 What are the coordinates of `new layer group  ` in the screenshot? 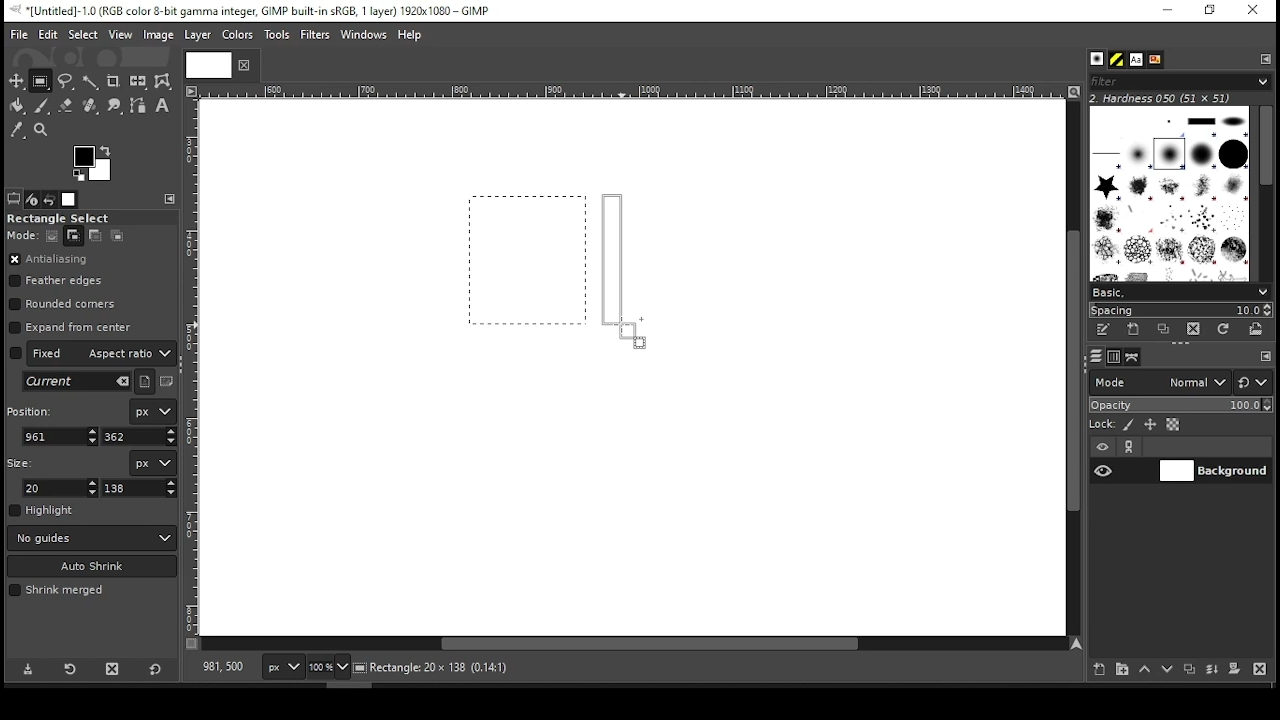 It's located at (1121, 669).